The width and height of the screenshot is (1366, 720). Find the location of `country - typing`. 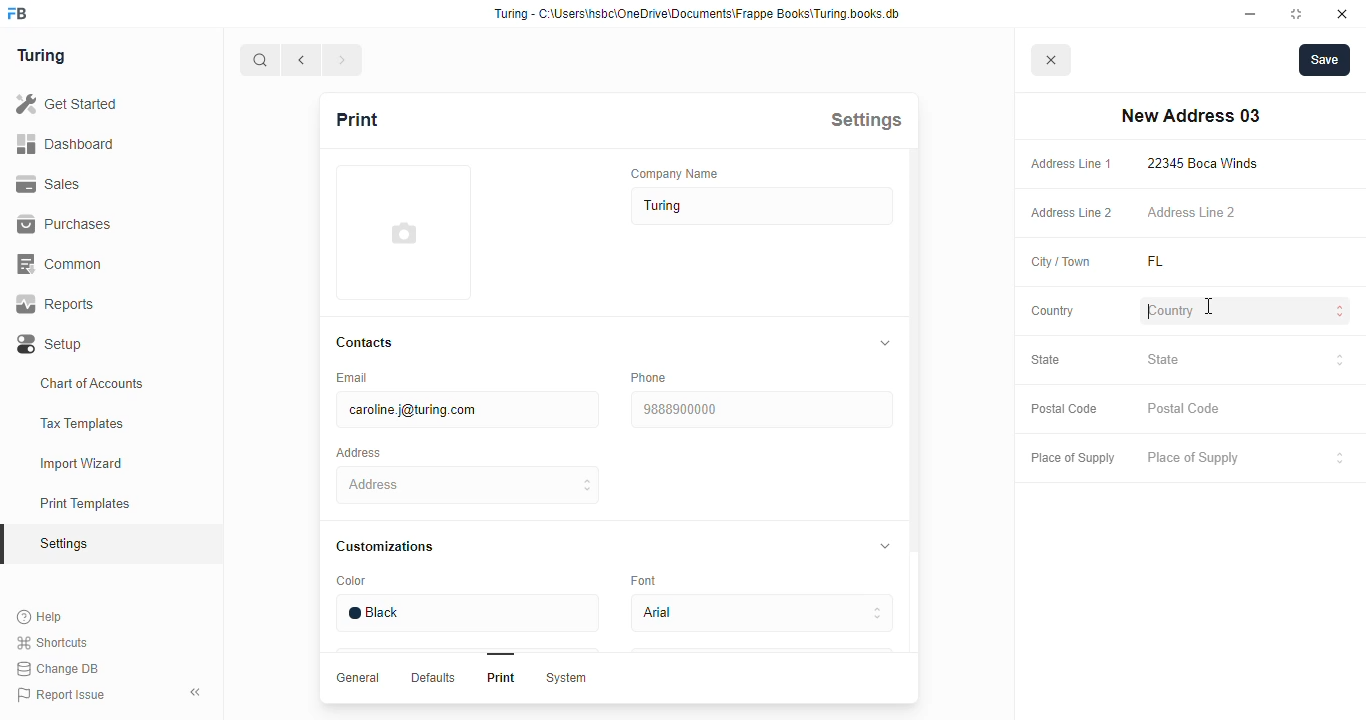

country - typing is located at coordinates (1248, 313).